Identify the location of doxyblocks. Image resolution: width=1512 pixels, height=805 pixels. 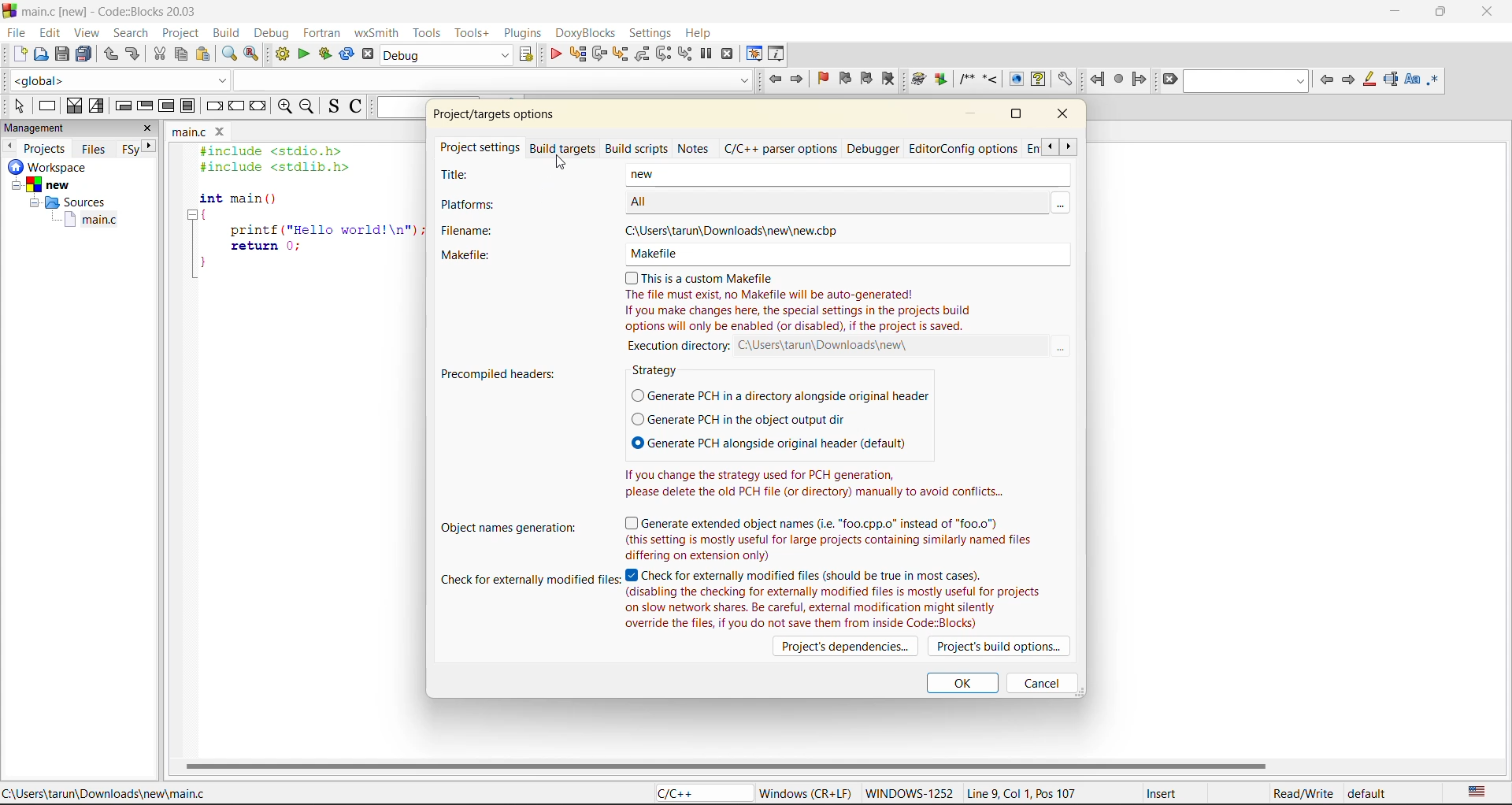
(584, 33).